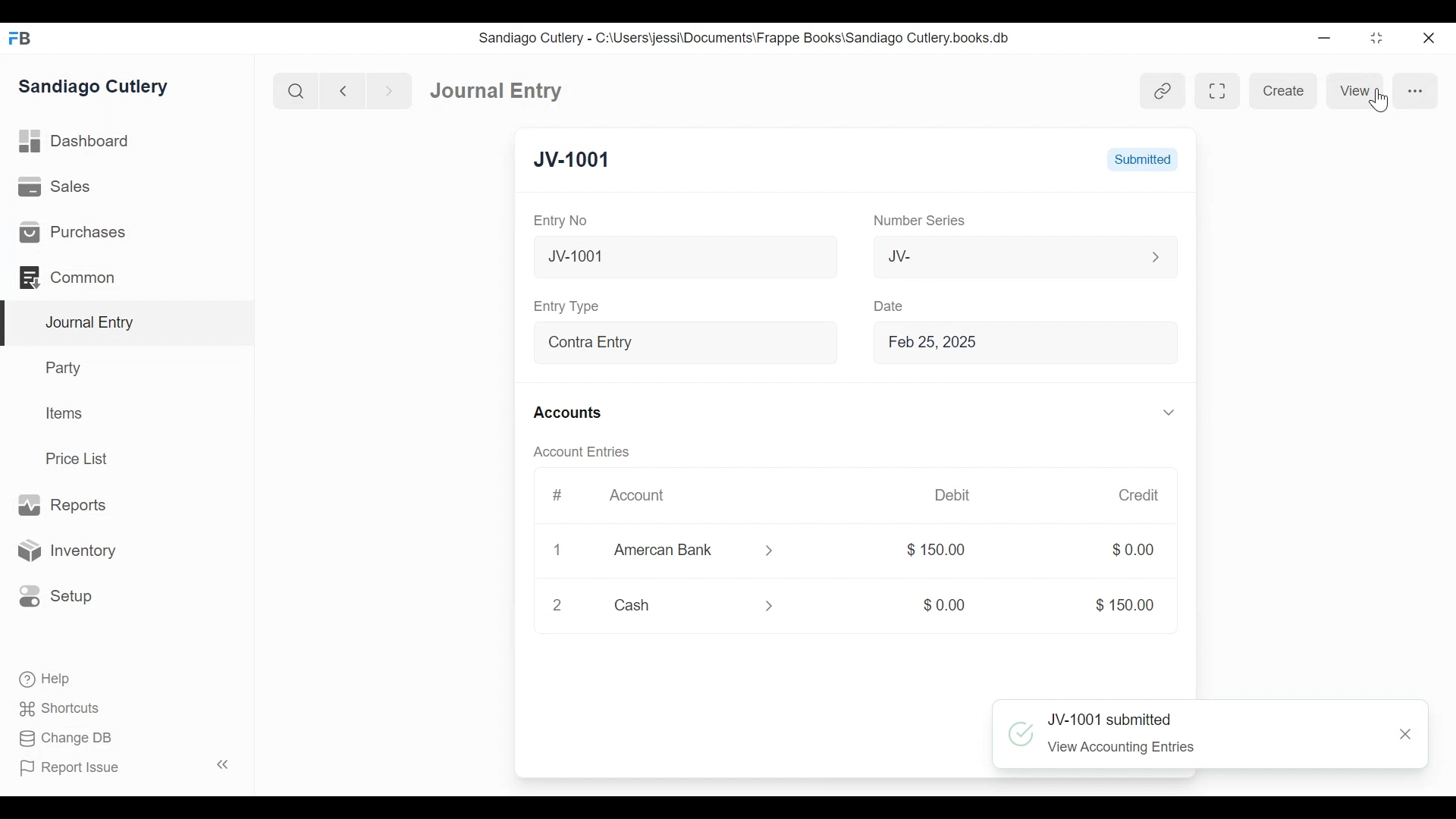  What do you see at coordinates (572, 161) in the screenshot?
I see `JV-1001` at bounding box center [572, 161].